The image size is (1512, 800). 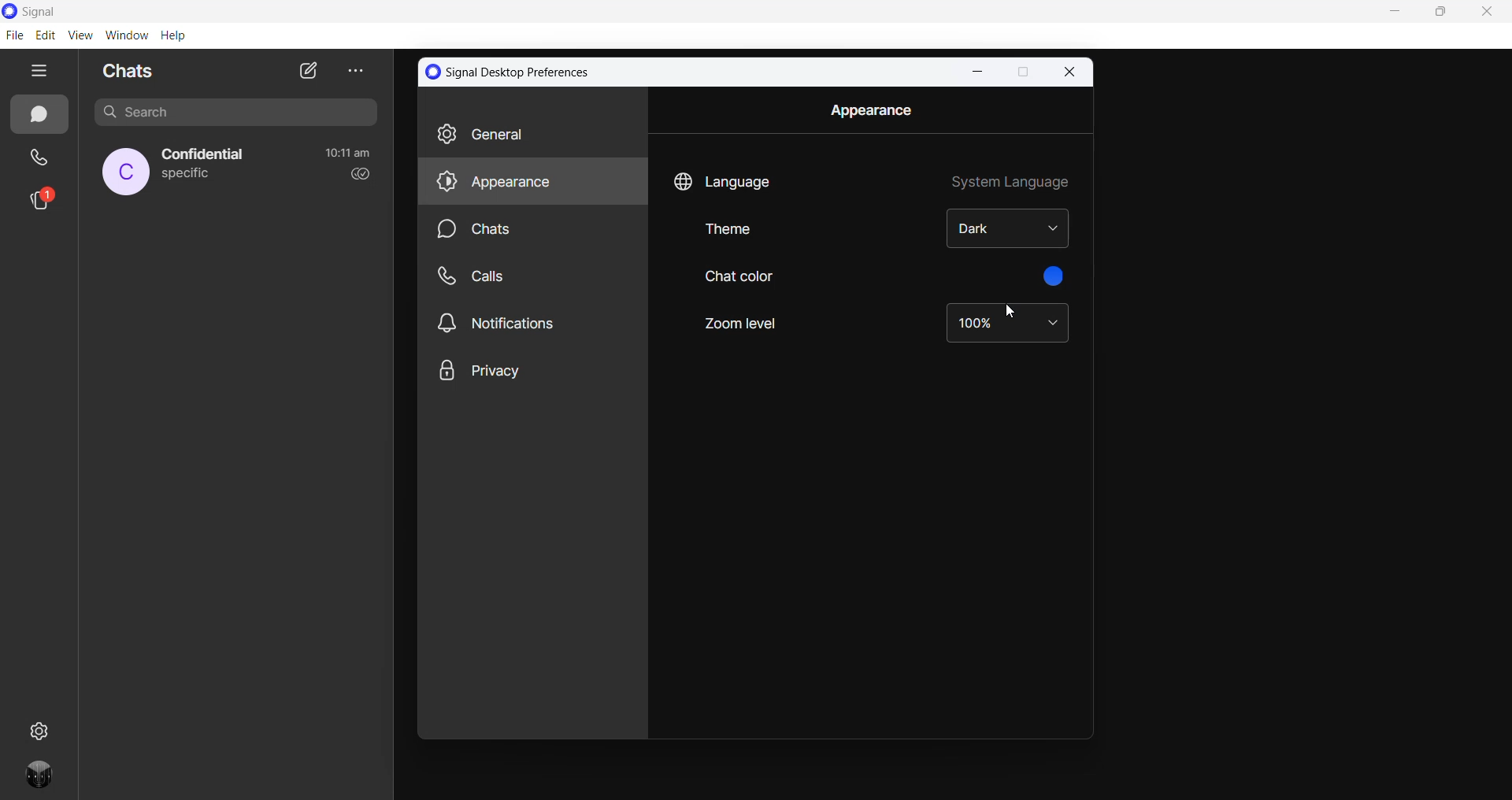 What do you see at coordinates (40, 72) in the screenshot?
I see `hide tabs` at bounding box center [40, 72].